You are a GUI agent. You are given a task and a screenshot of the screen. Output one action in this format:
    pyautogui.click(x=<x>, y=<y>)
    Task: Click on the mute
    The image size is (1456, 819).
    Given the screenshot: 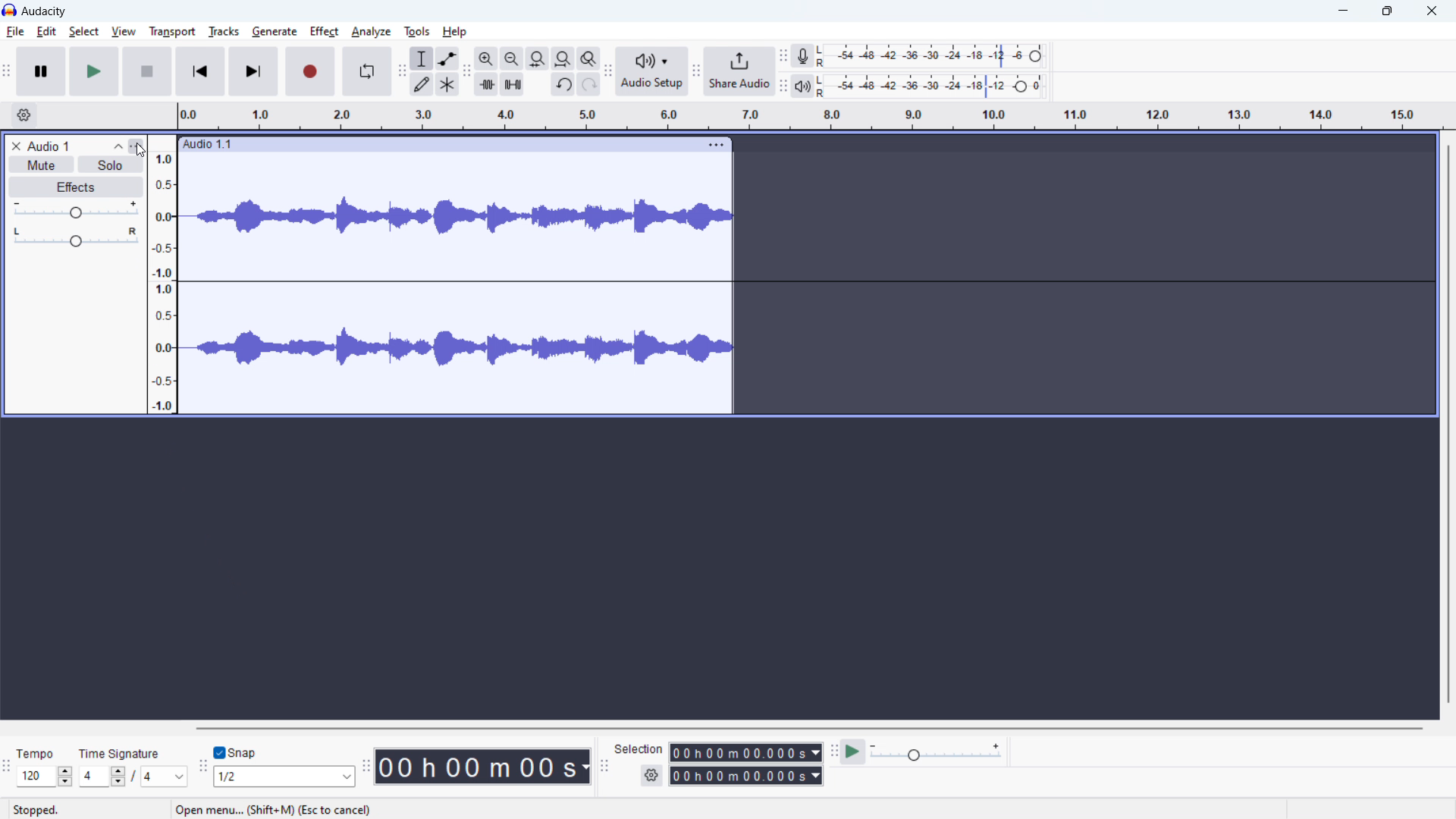 What is the action you would take?
    pyautogui.click(x=40, y=165)
    